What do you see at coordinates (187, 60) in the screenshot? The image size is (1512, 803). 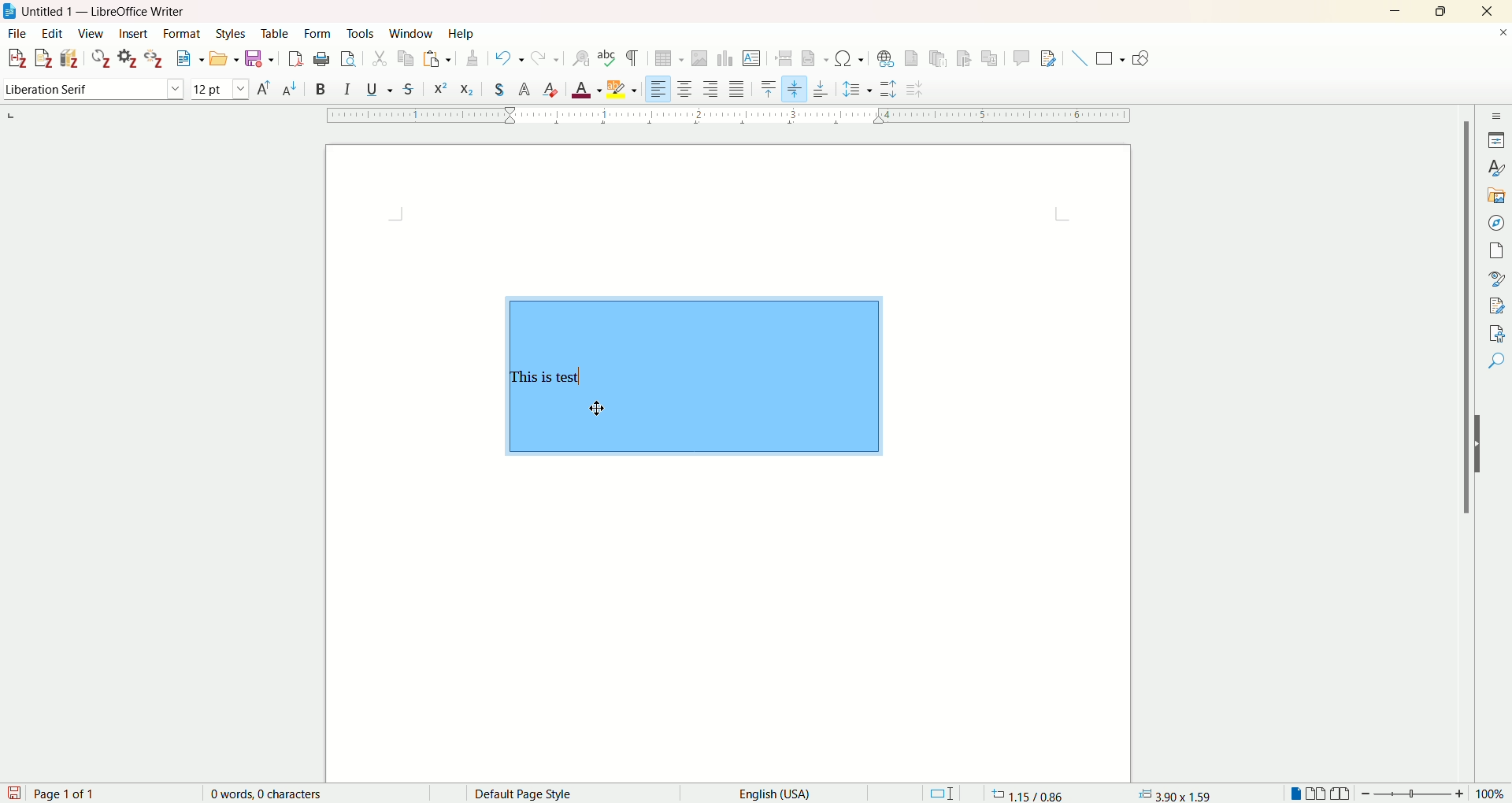 I see `new` at bounding box center [187, 60].